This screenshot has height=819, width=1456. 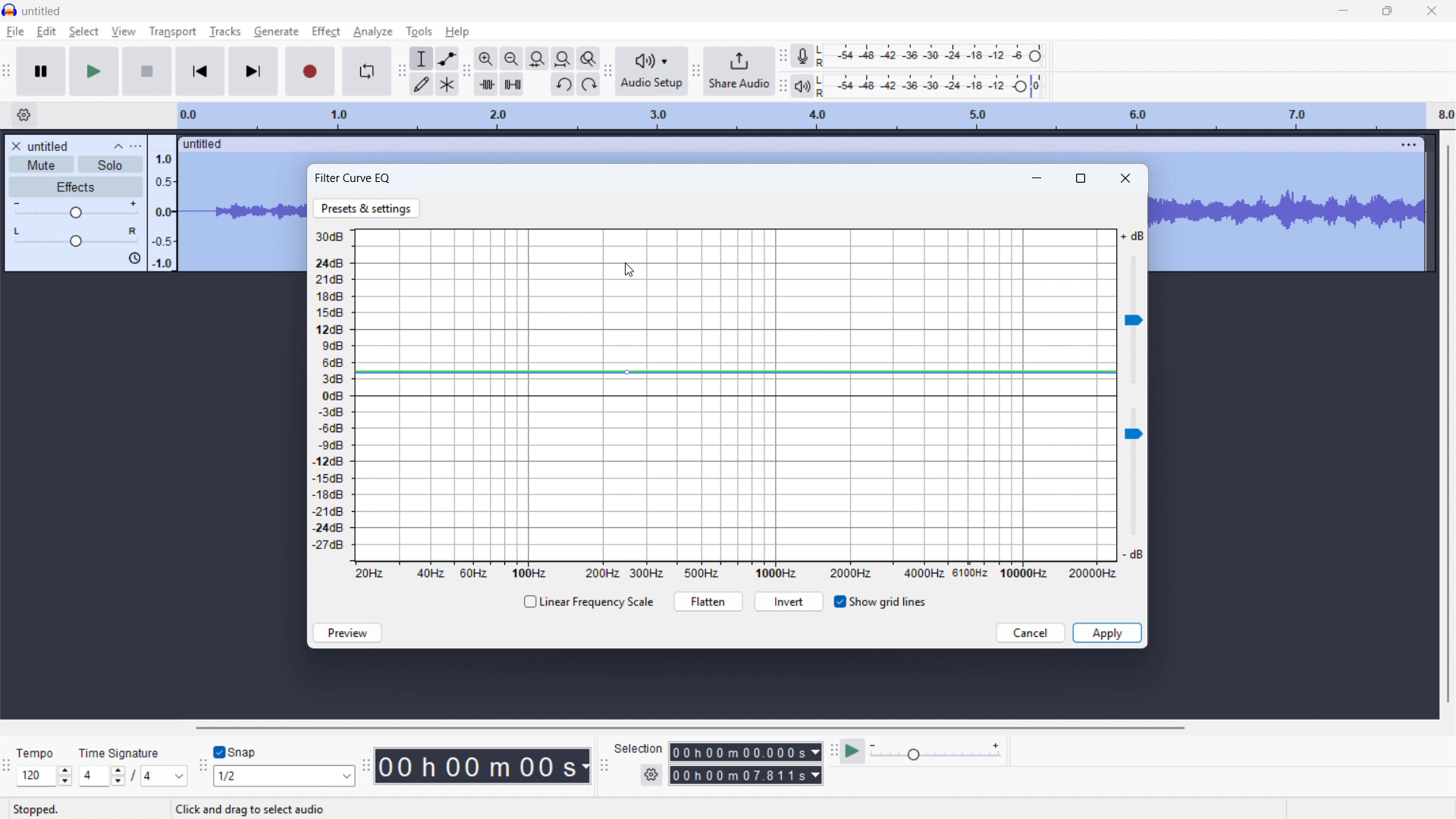 What do you see at coordinates (148, 71) in the screenshot?
I see `stop` at bounding box center [148, 71].